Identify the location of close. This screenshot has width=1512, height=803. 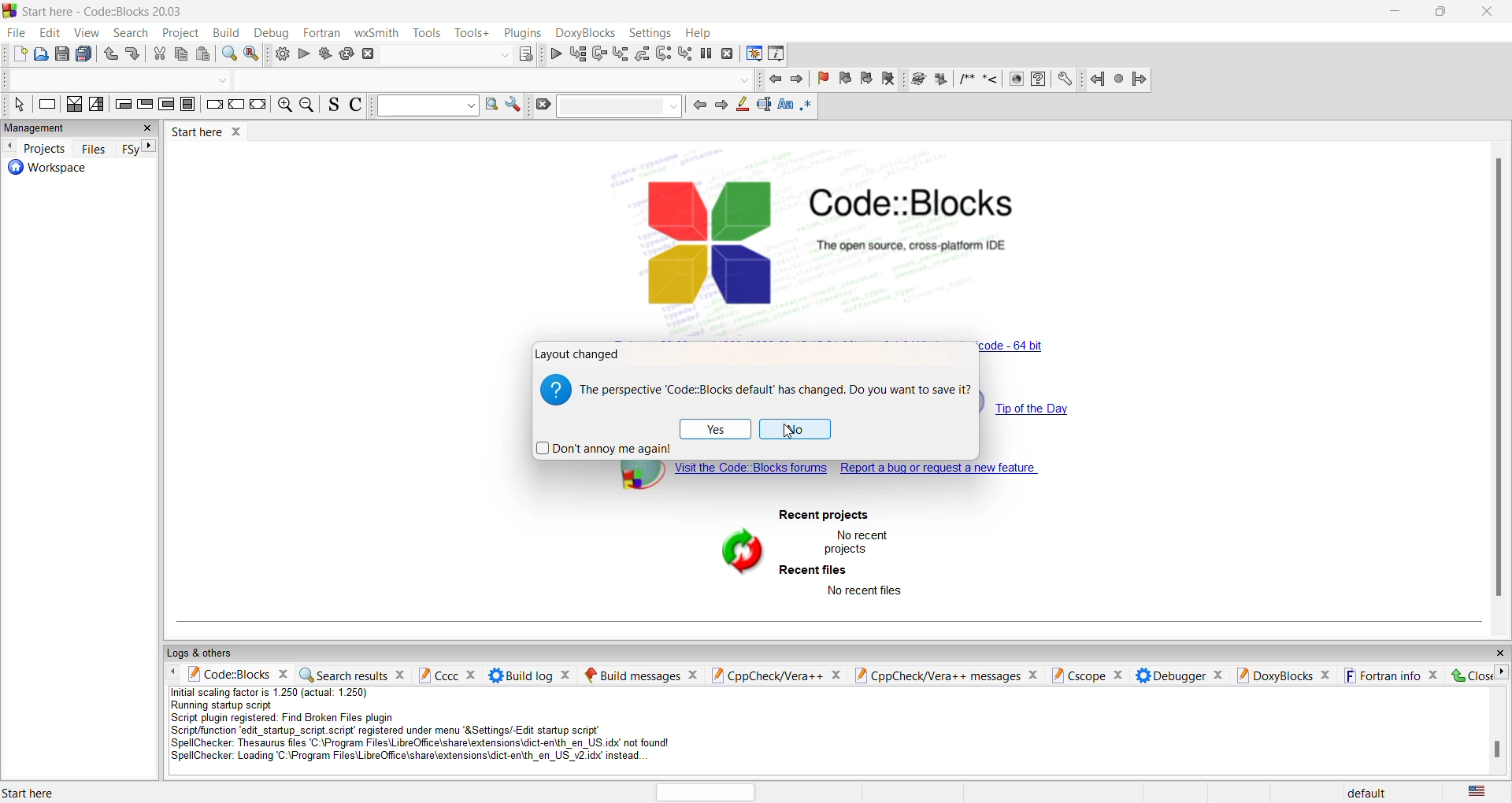
(1327, 675).